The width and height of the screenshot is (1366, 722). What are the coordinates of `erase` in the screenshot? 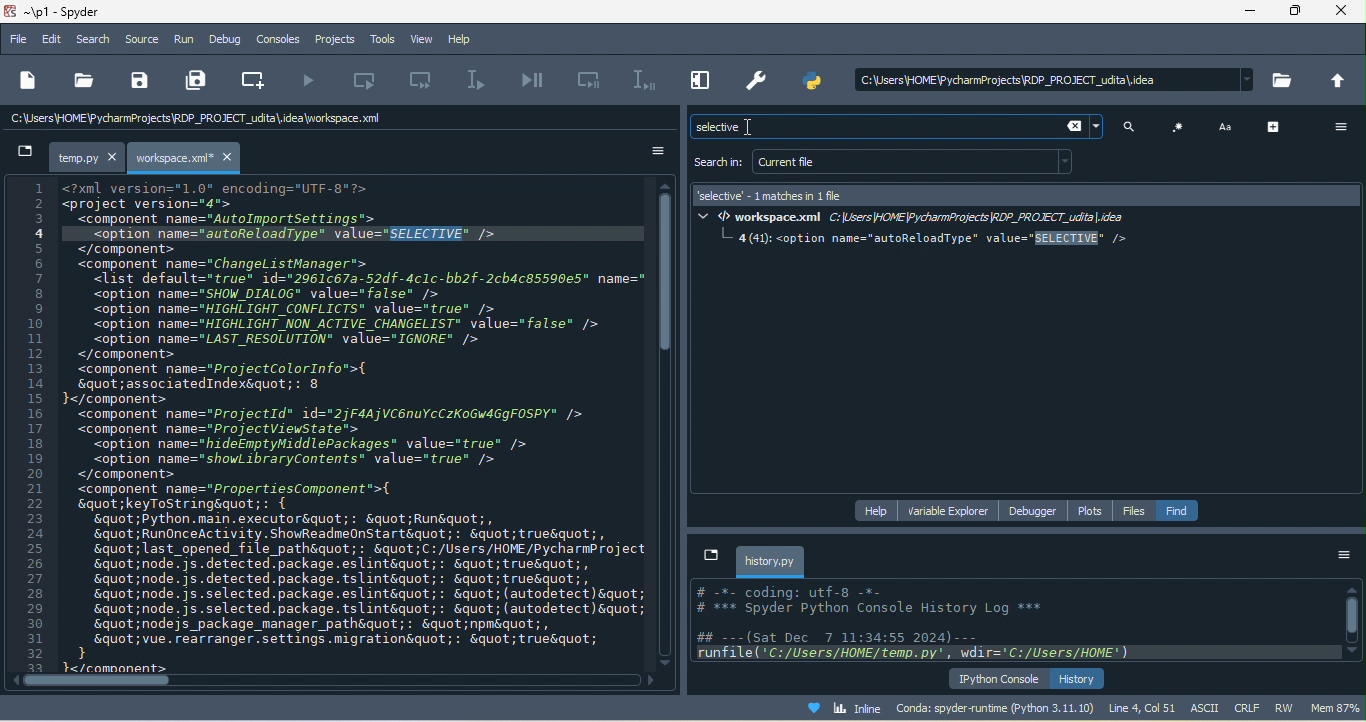 It's located at (1082, 127).